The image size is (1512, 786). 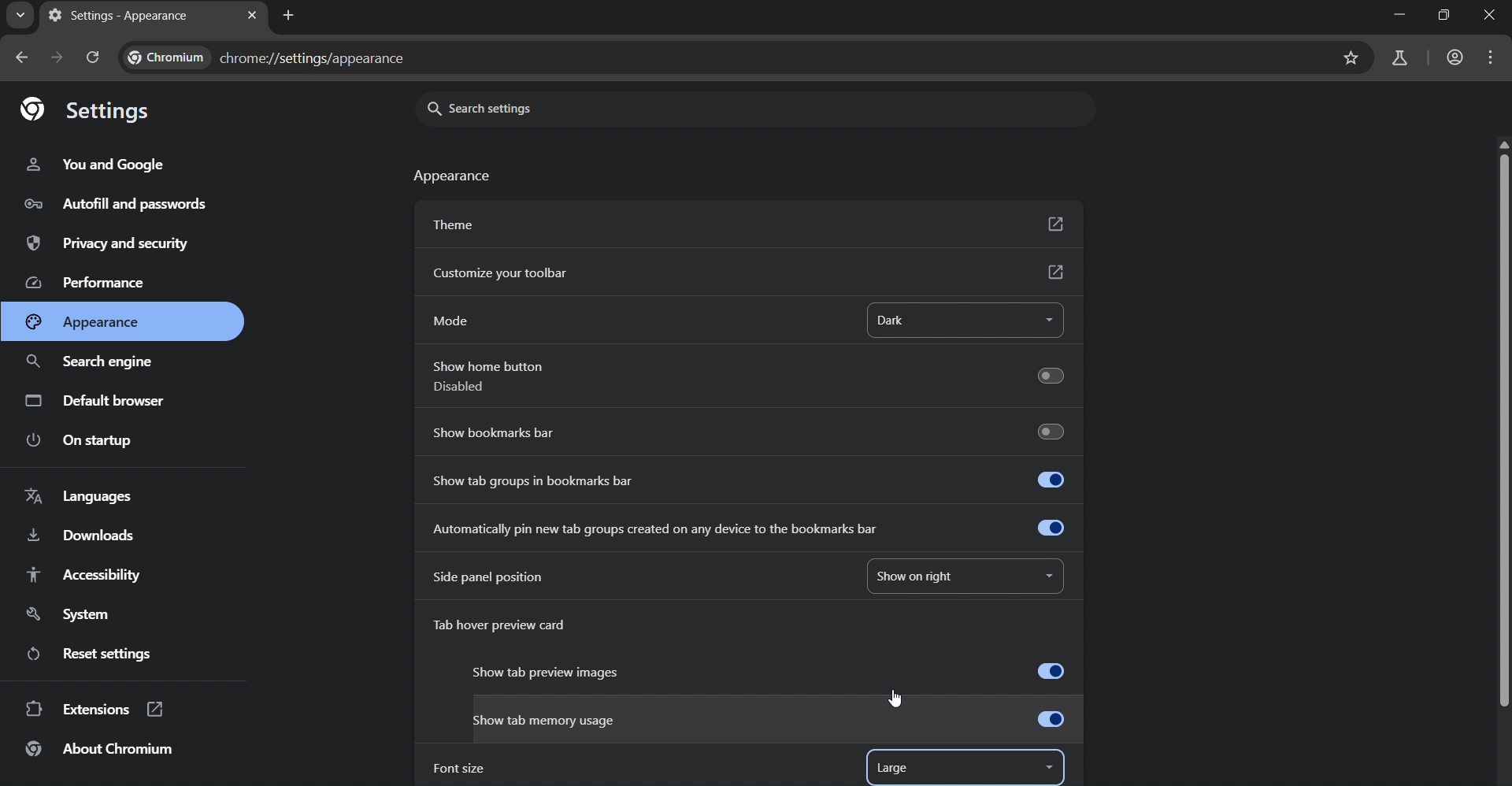 I want to click on default browser, so click(x=98, y=399).